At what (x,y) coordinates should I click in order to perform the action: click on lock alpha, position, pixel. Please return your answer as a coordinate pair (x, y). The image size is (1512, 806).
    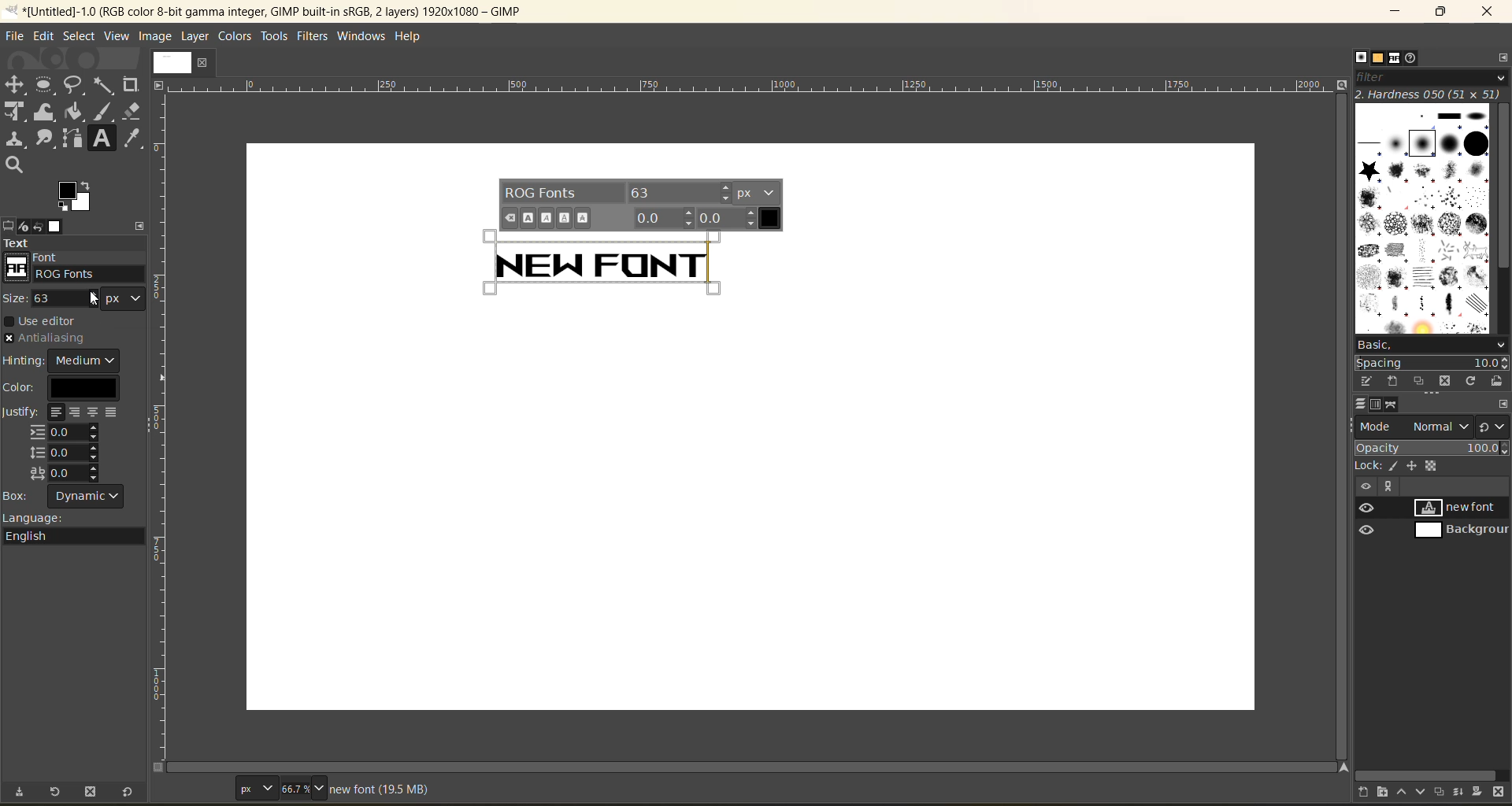
    Looking at the image, I should click on (1407, 464).